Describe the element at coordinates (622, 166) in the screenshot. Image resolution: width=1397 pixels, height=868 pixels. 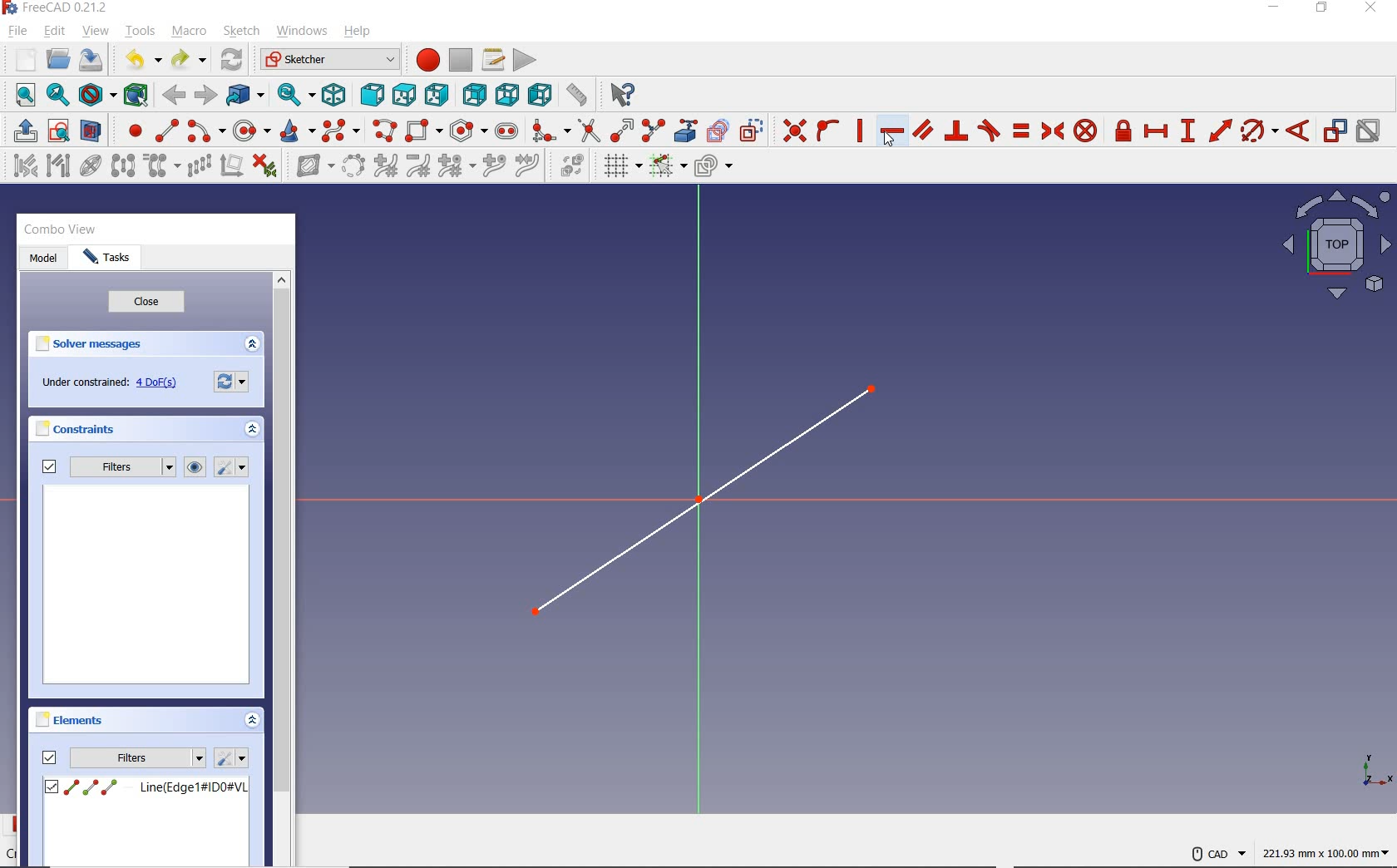
I see `TOGGLE GRID` at that location.